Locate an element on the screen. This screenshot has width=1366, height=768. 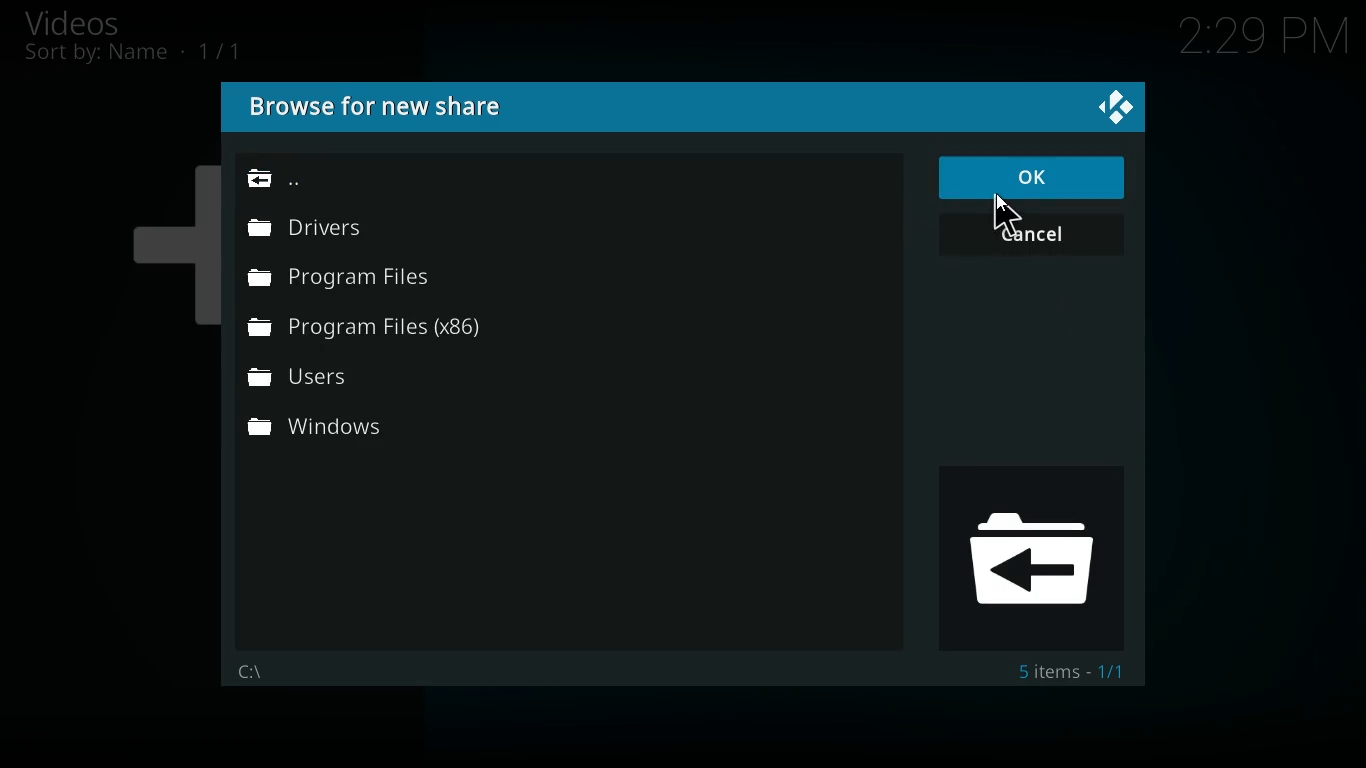
5 items 1/1 is located at coordinates (1074, 675).